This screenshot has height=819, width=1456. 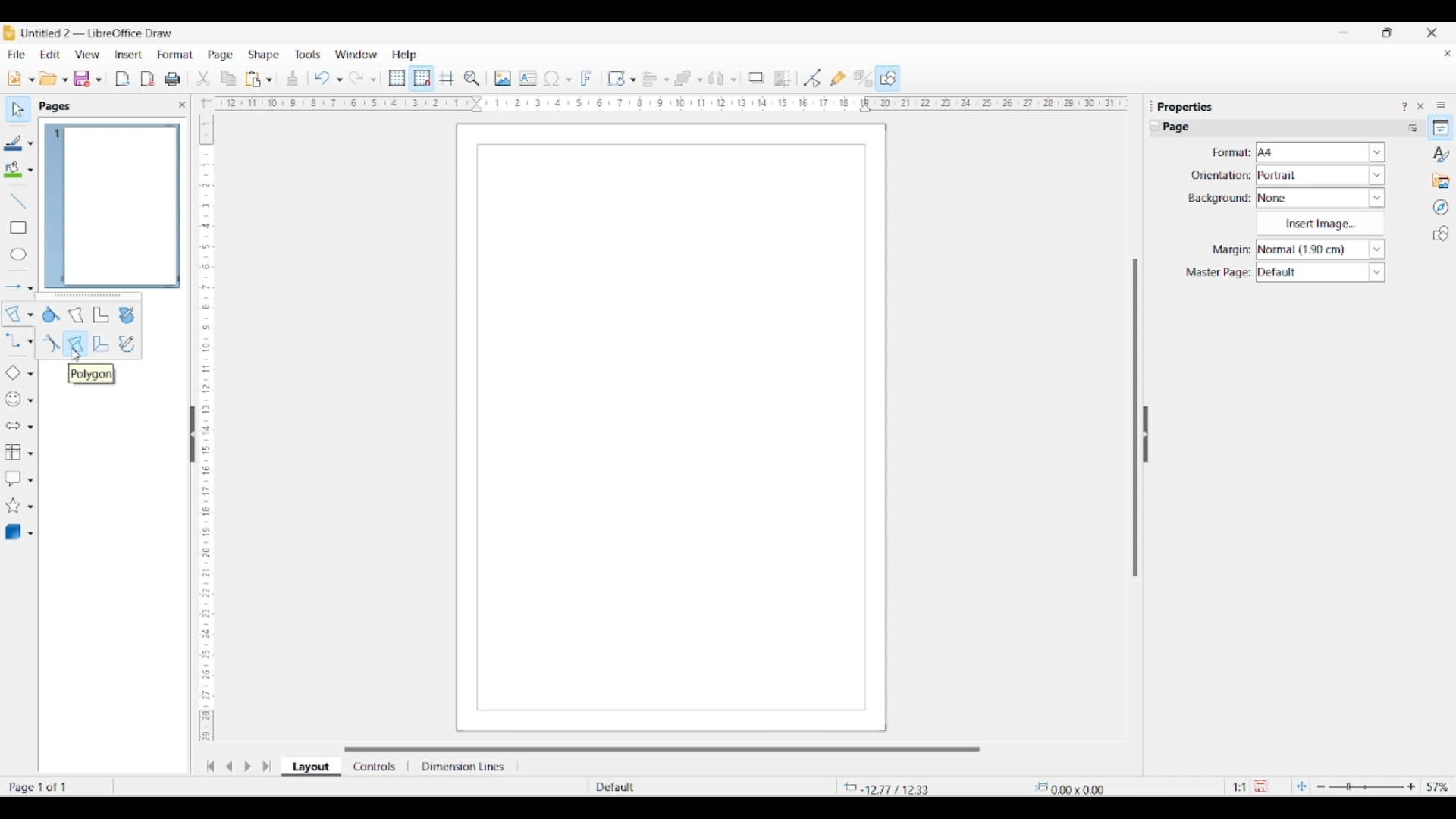 I want to click on Selected connector, so click(x=12, y=339).